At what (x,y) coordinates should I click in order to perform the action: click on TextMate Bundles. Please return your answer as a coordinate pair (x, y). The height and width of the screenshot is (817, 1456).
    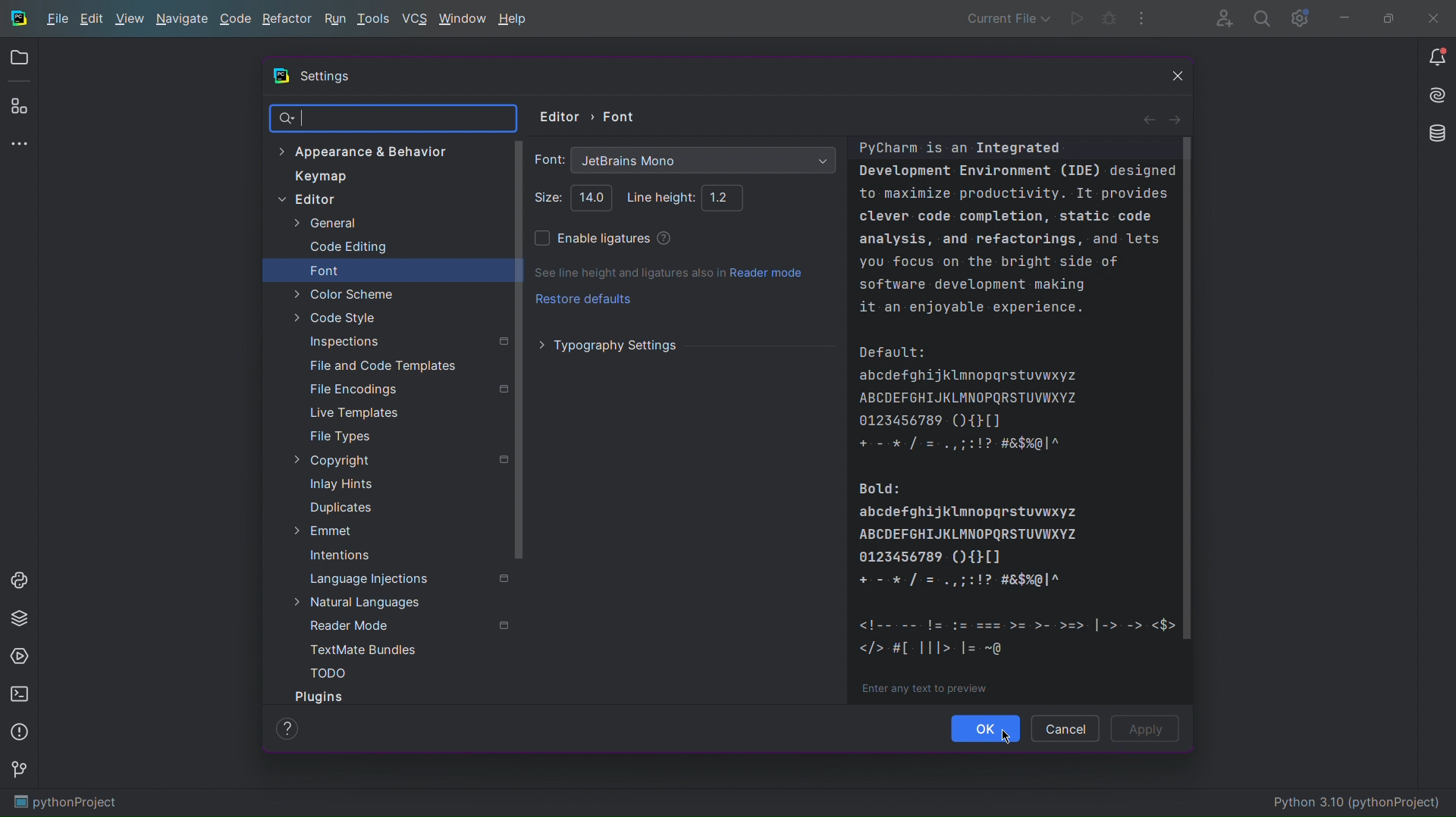
    Looking at the image, I should click on (364, 650).